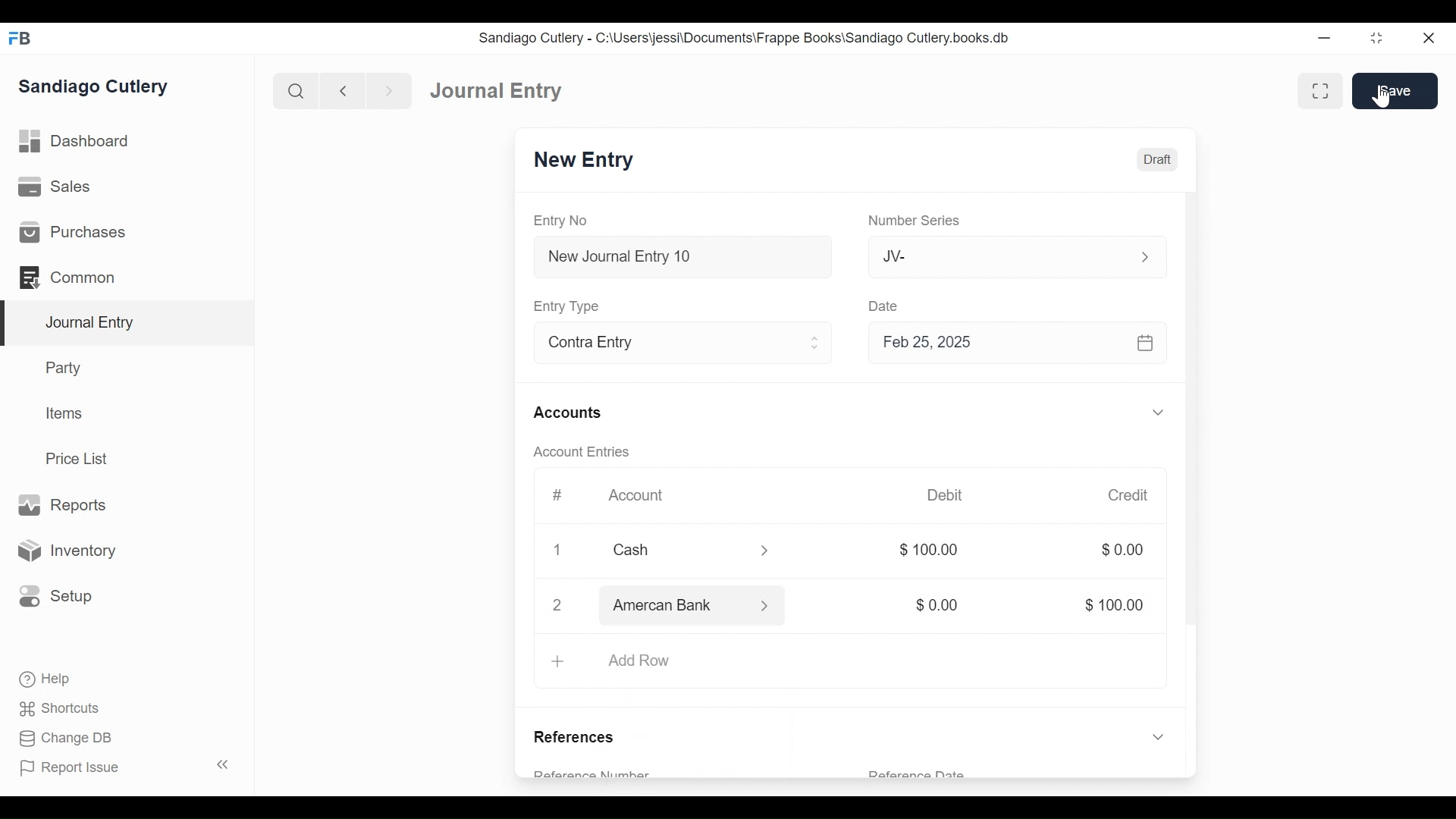 The image size is (1456, 819). Describe the element at coordinates (61, 738) in the screenshot. I see `Change DB` at that location.